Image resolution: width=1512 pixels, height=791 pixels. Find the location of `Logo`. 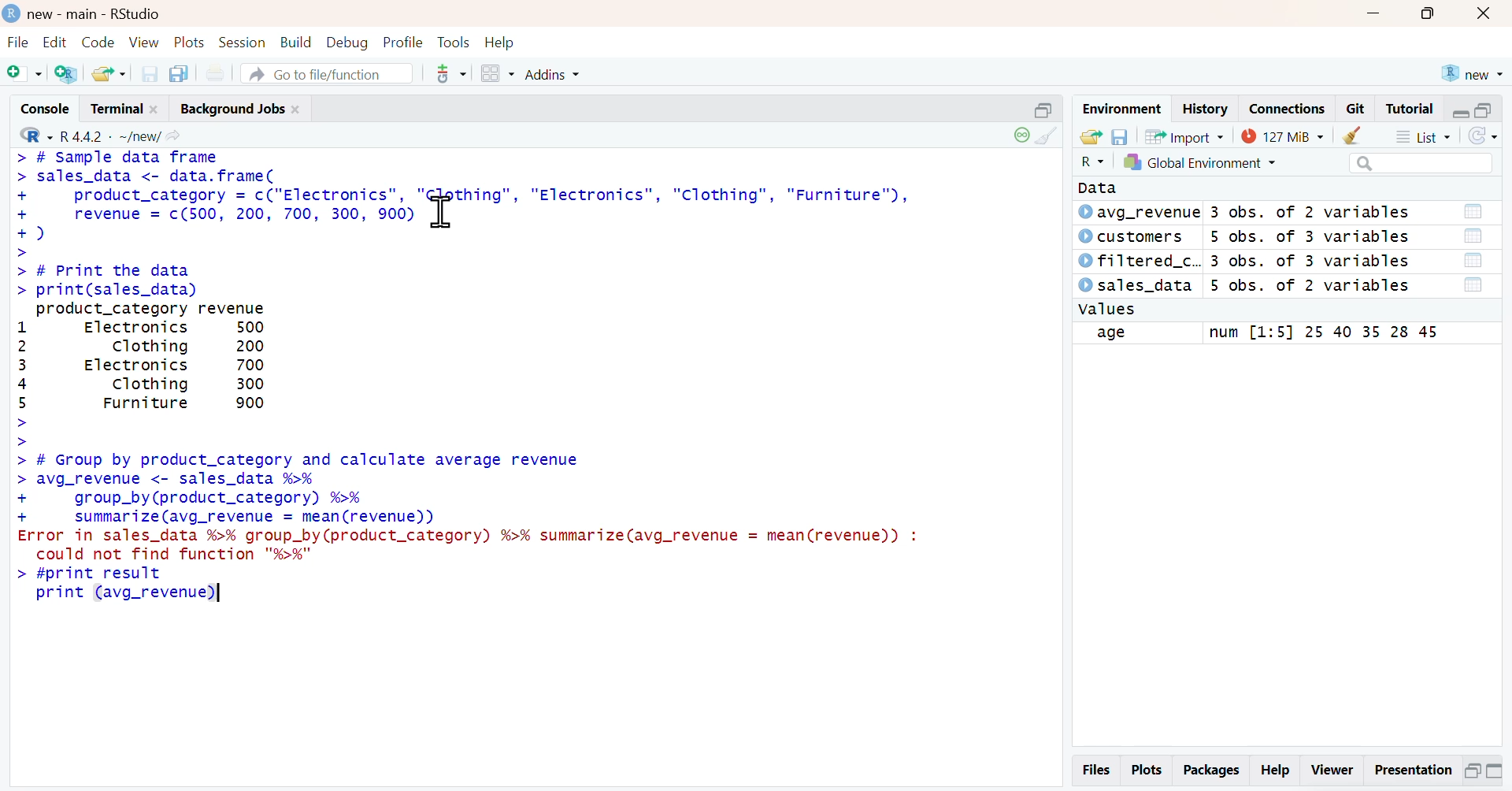

Logo is located at coordinates (12, 13).